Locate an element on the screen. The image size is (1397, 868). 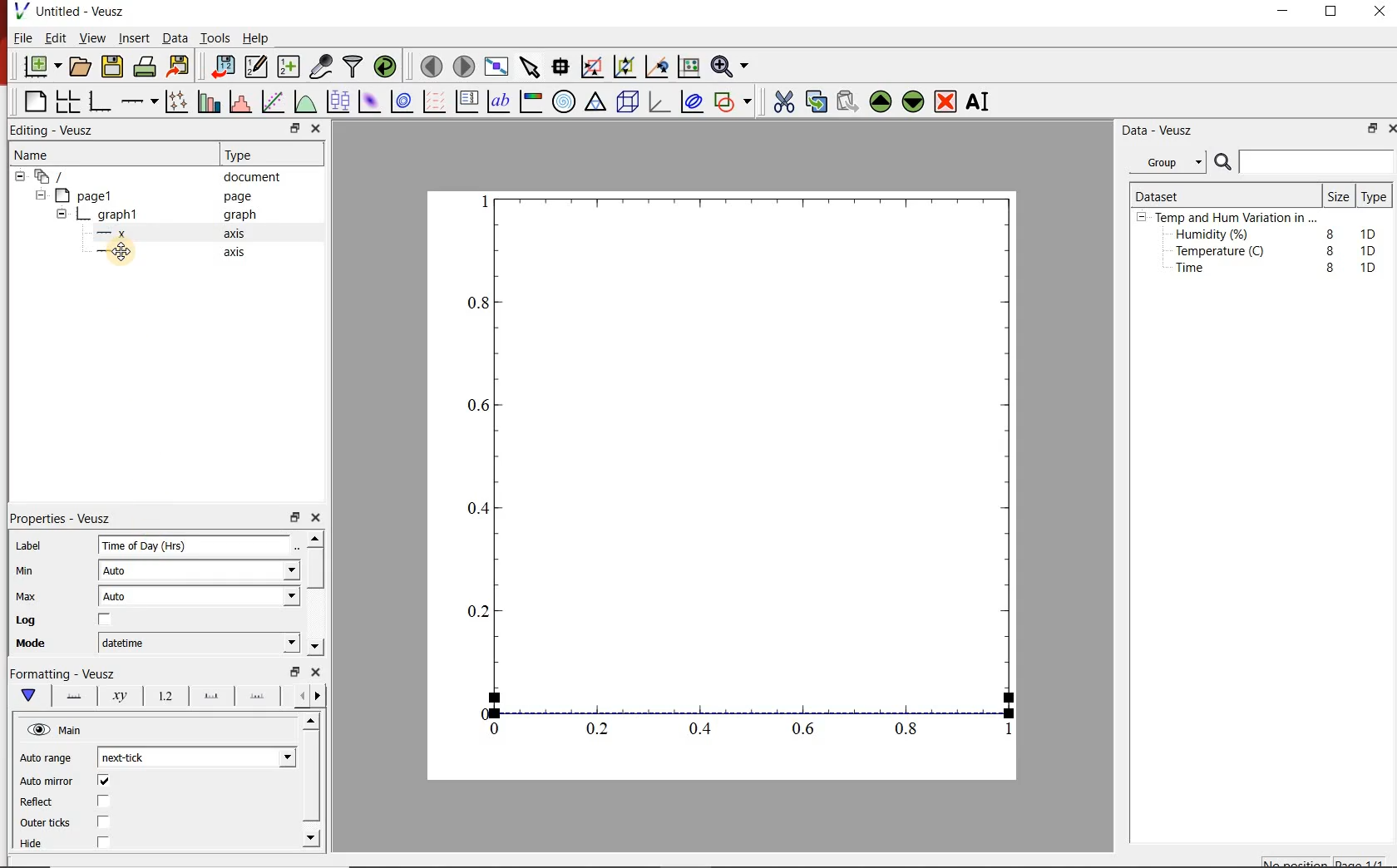
Tools is located at coordinates (214, 38).